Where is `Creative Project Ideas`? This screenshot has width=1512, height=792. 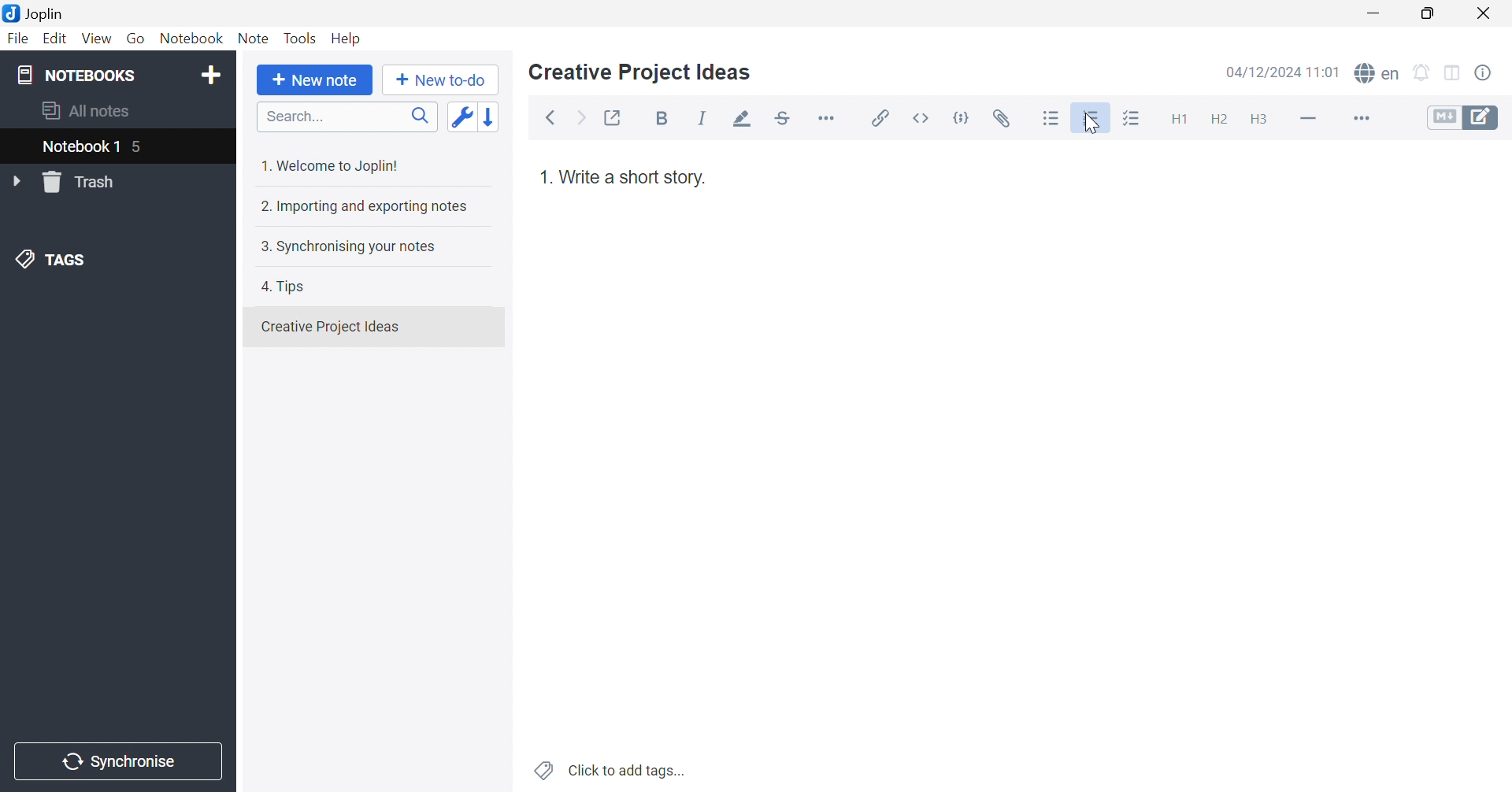
Creative Project Ideas is located at coordinates (639, 72).